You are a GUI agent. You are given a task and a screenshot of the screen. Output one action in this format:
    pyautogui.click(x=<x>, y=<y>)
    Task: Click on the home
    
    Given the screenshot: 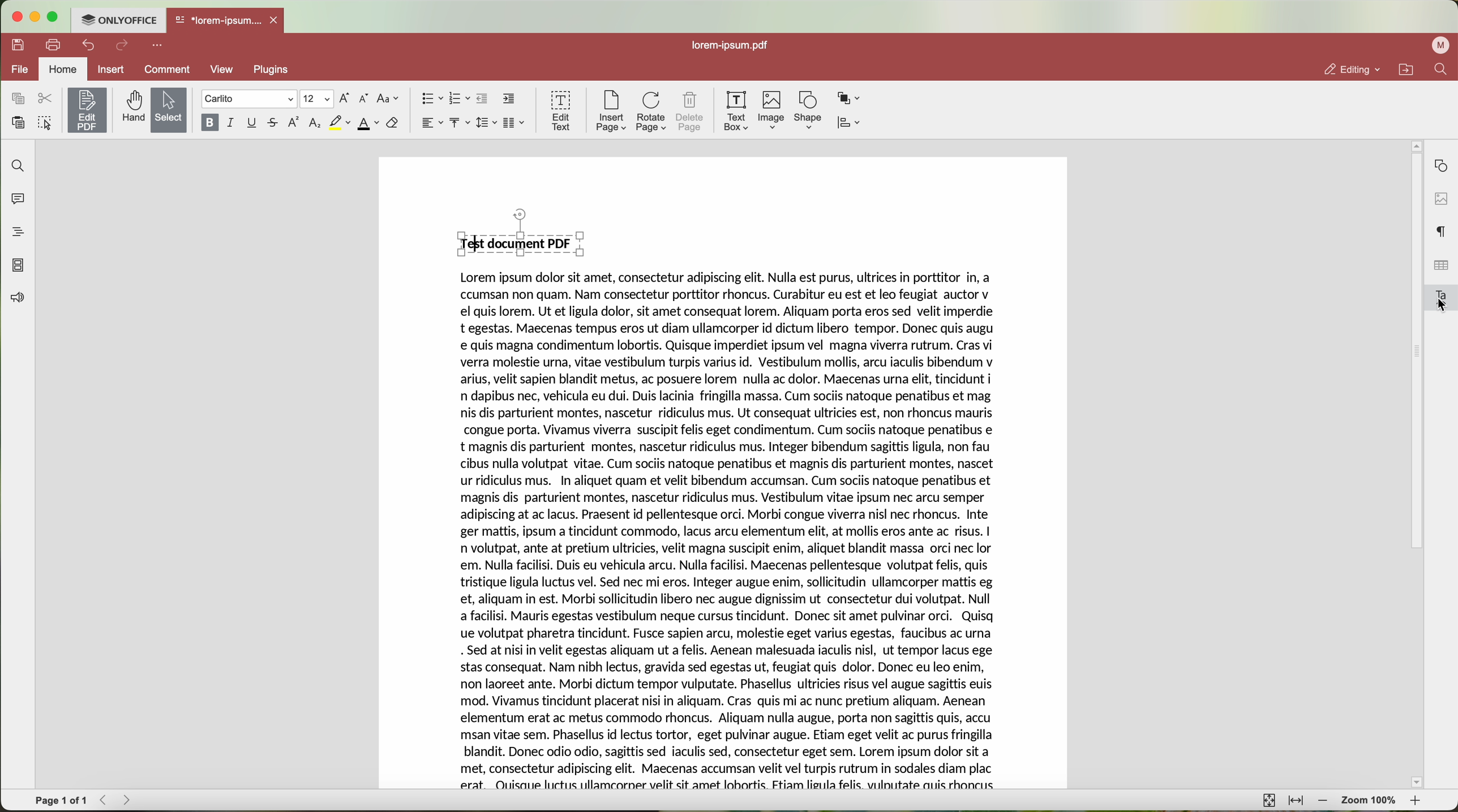 What is the action you would take?
    pyautogui.click(x=64, y=69)
    